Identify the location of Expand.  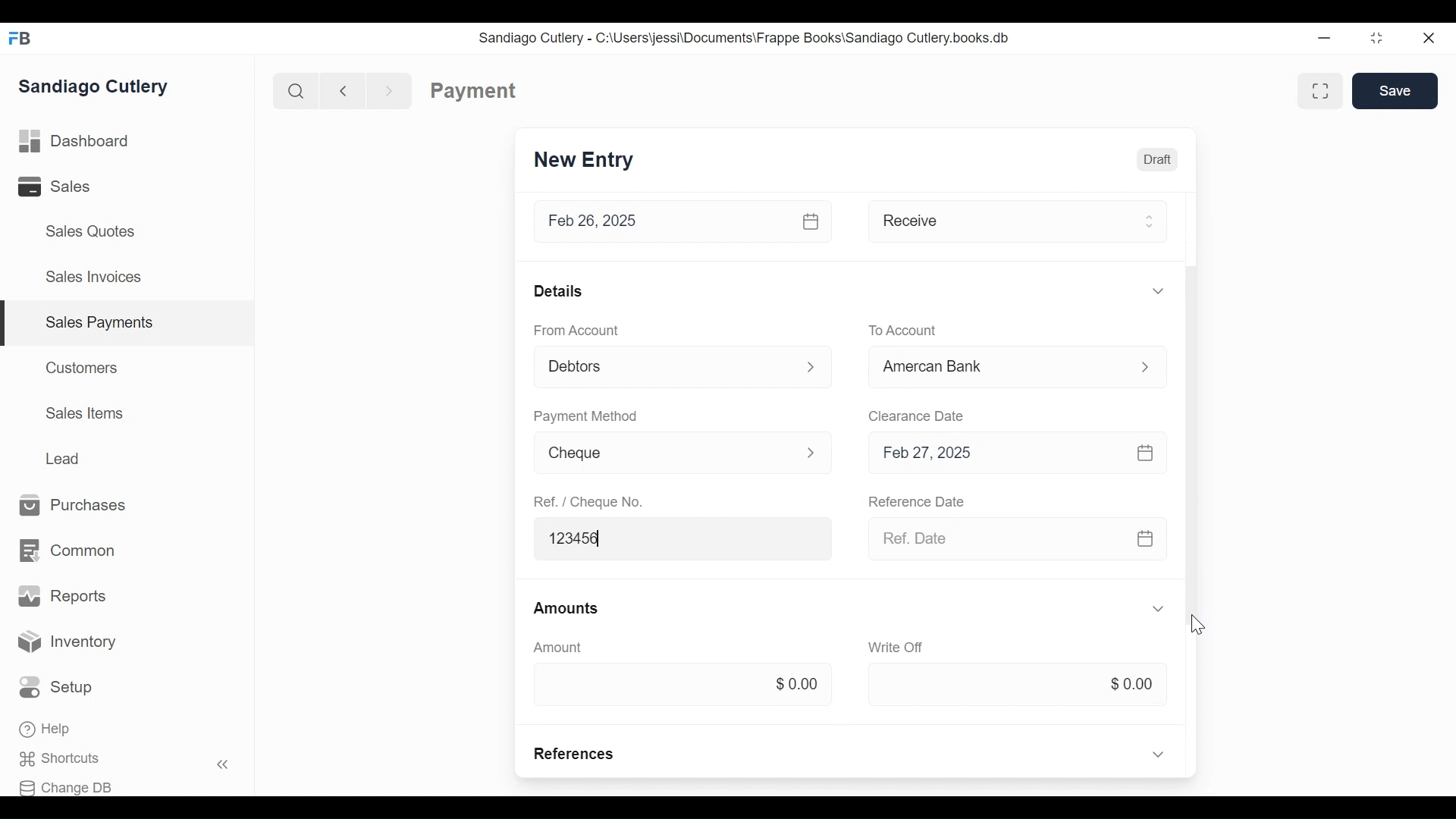
(812, 368).